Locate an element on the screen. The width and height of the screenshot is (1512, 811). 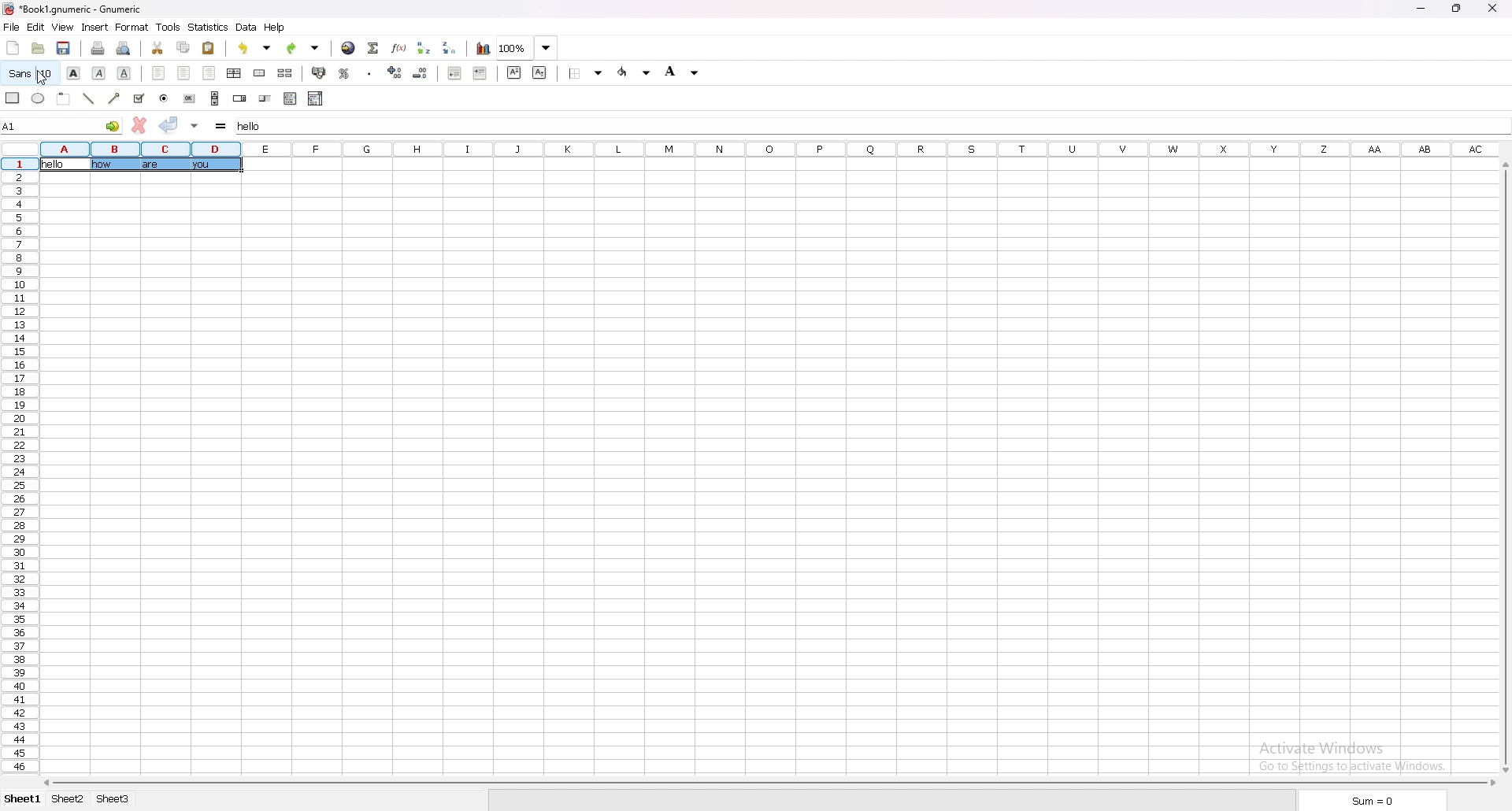
combo box is located at coordinates (316, 98).